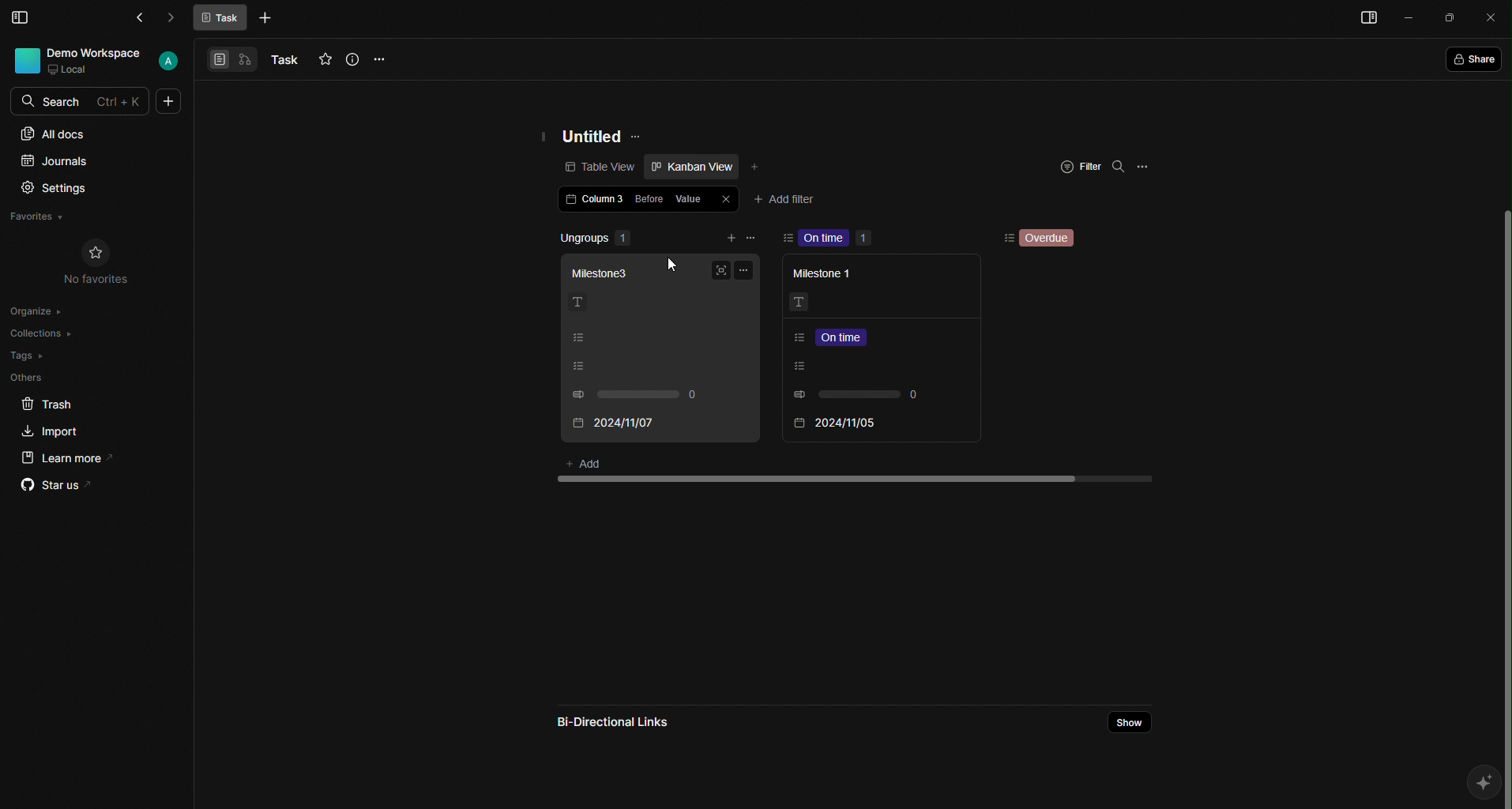 Image resolution: width=1512 pixels, height=809 pixels. Describe the element at coordinates (840, 337) in the screenshot. I see `Listing` at that location.